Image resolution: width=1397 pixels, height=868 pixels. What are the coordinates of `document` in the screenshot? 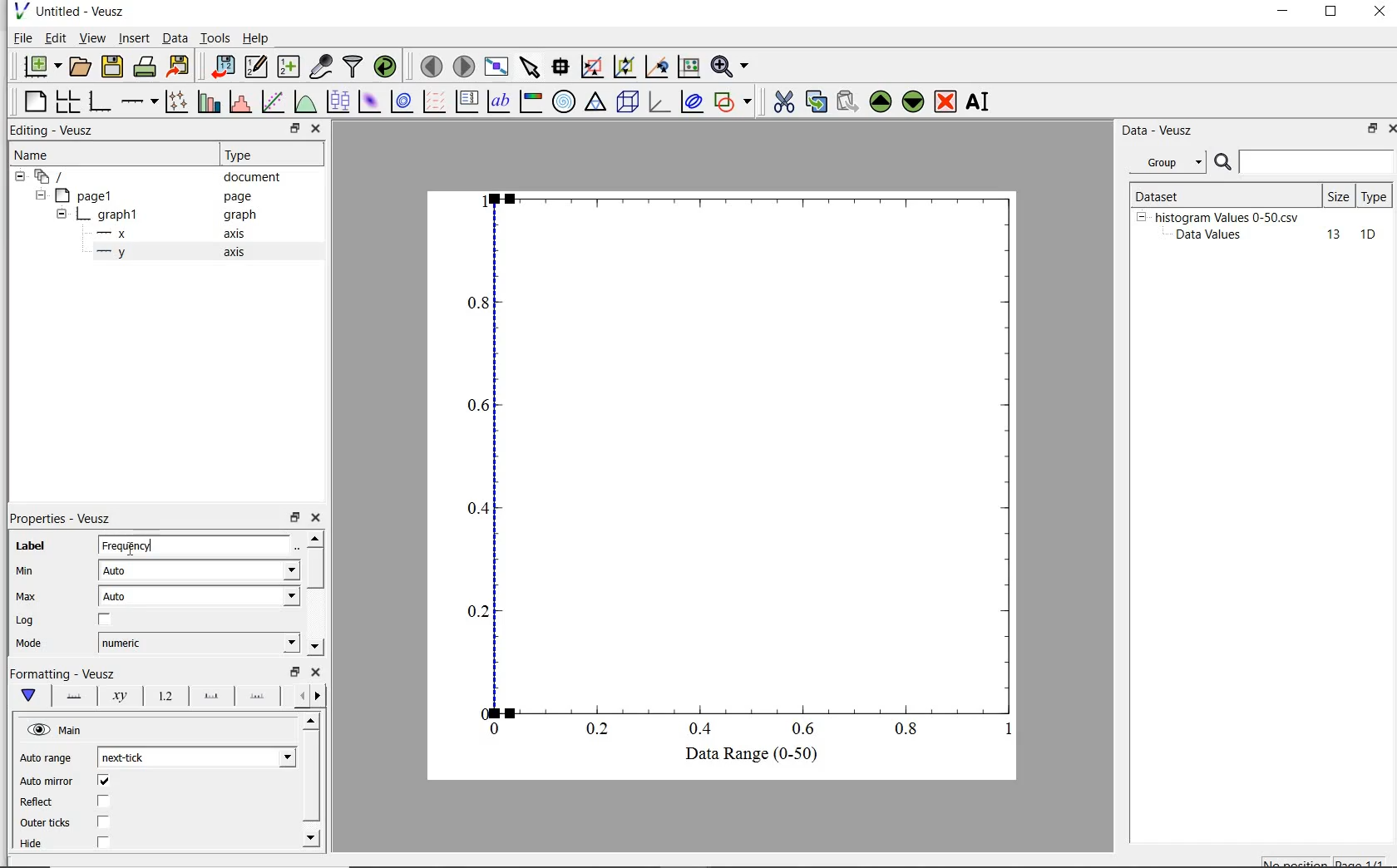 It's located at (253, 179).